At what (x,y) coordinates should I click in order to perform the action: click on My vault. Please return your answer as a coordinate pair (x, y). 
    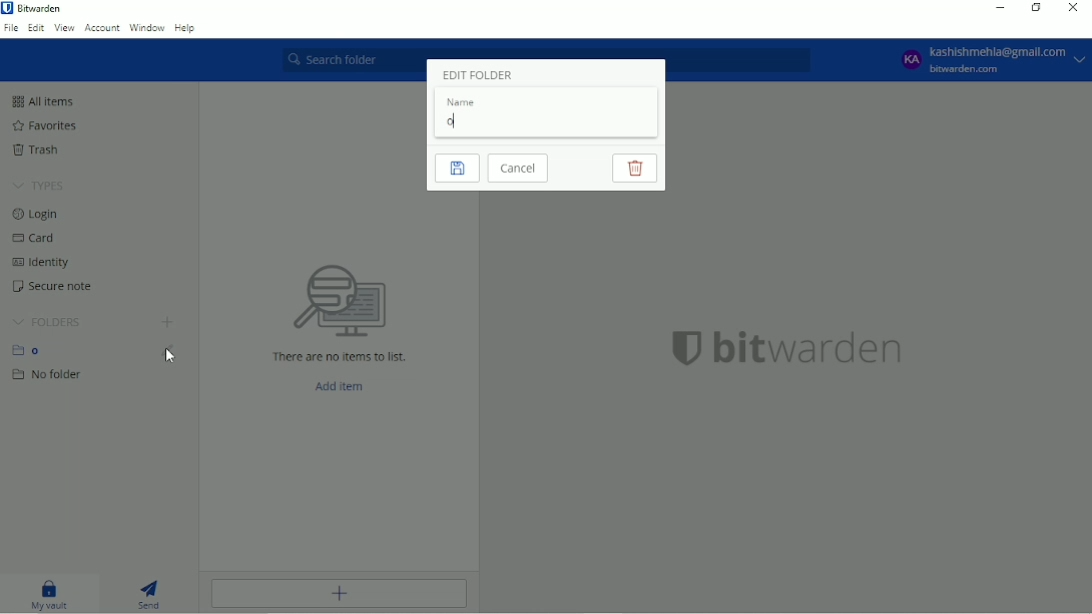
    Looking at the image, I should click on (51, 596).